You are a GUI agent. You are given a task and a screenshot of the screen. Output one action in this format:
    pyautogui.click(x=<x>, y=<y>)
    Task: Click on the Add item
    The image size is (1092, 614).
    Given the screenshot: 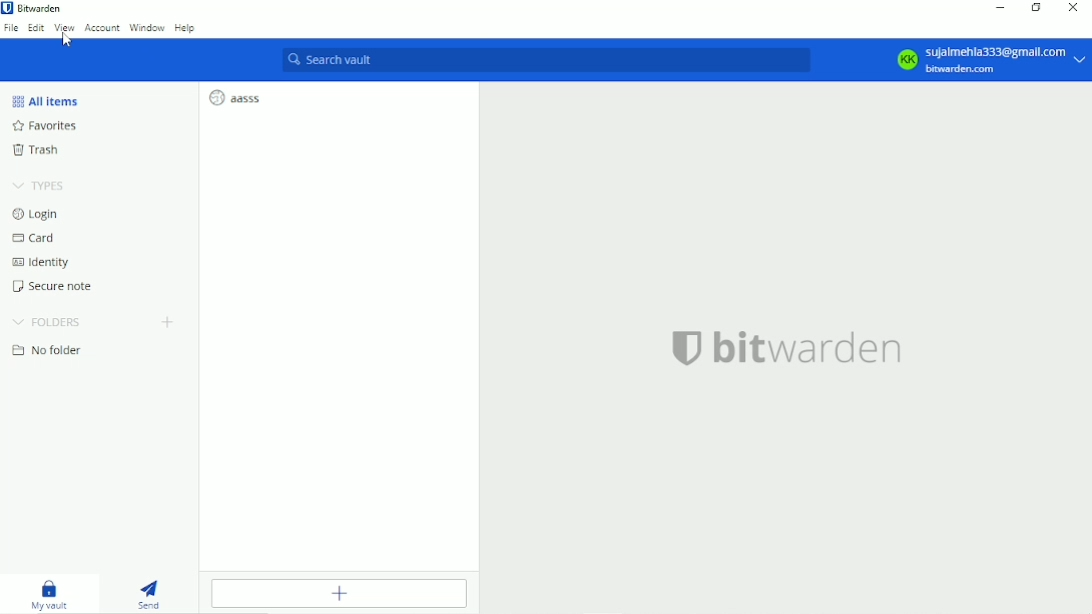 What is the action you would take?
    pyautogui.click(x=341, y=594)
    